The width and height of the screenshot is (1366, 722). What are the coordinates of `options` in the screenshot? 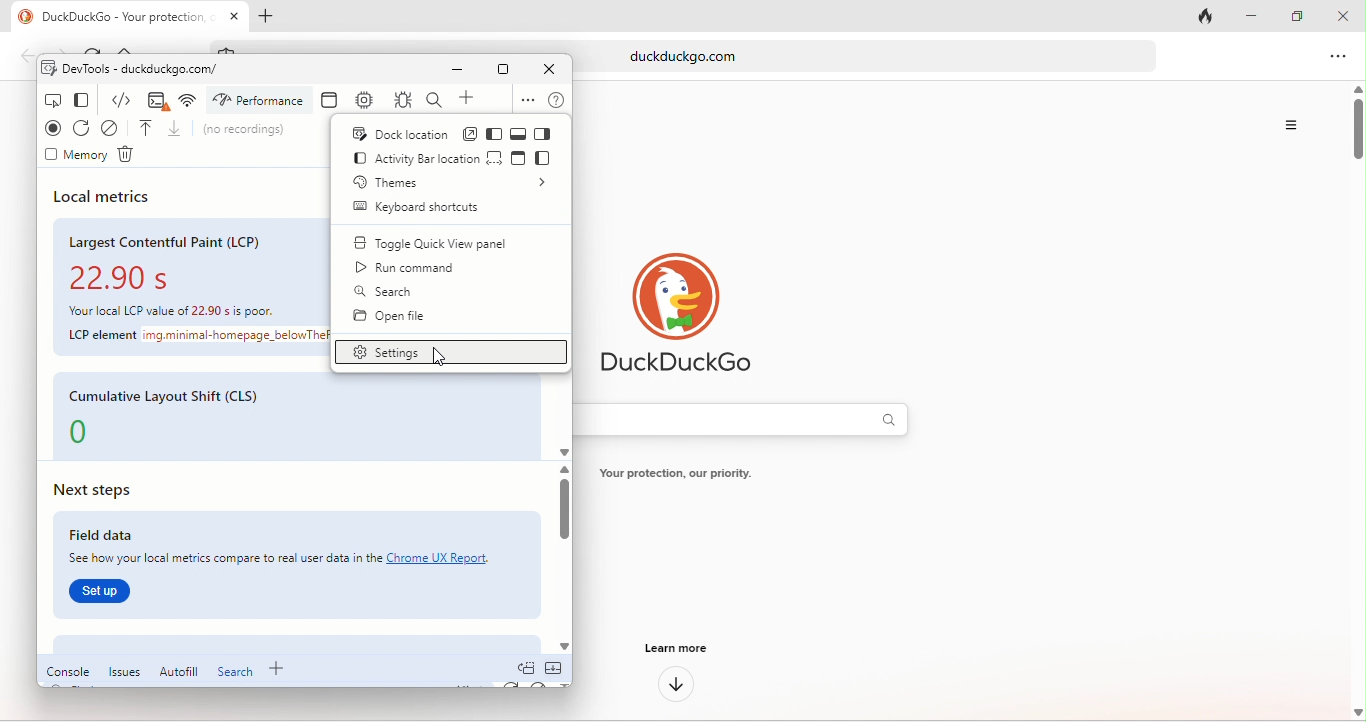 It's located at (526, 101).